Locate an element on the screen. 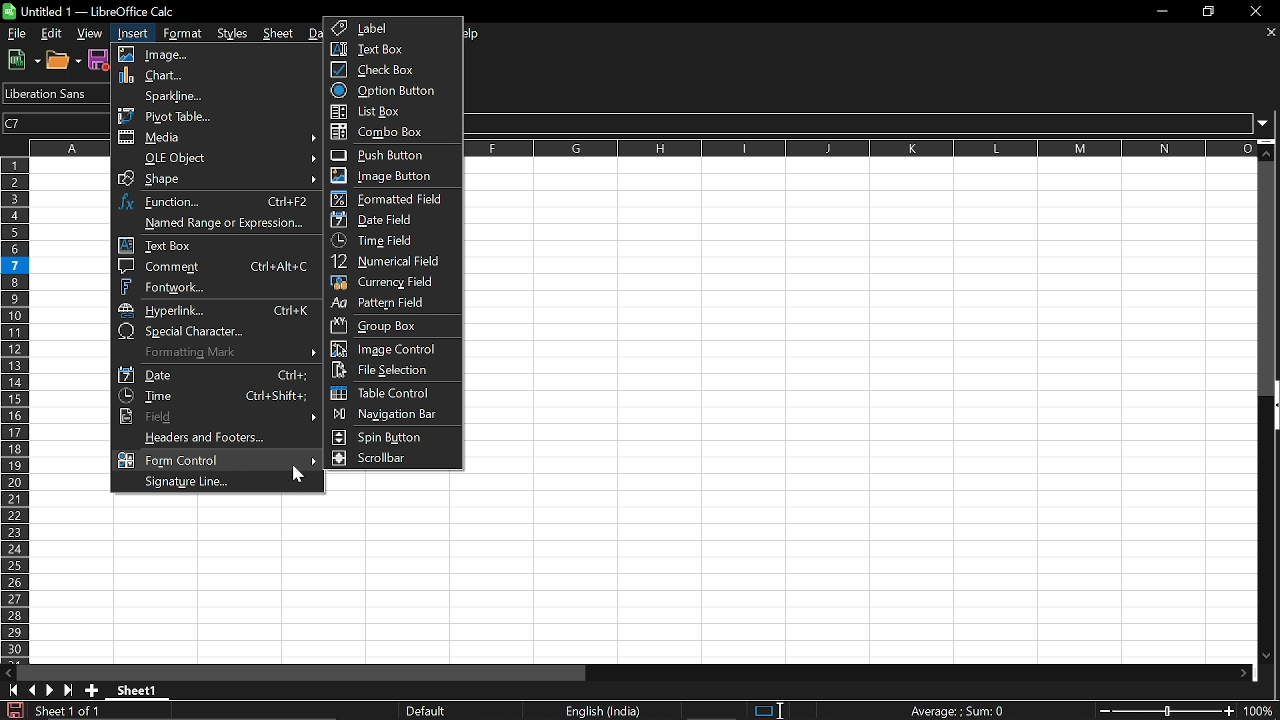 The image size is (1280, 720). Fillable cells is located at coordinates (397, 483).